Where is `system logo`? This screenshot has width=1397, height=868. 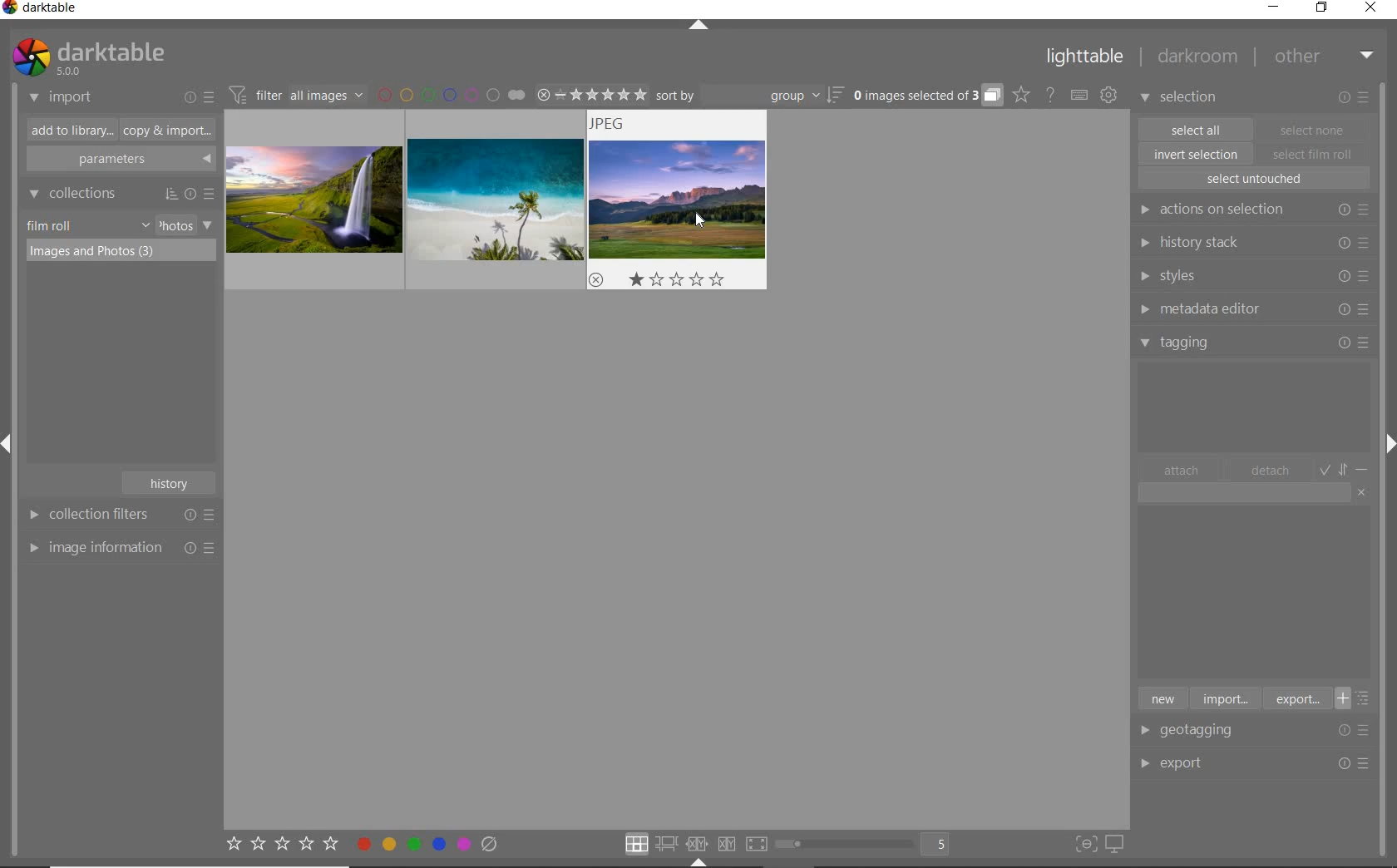 system logo is located at coordinates (87, 57).